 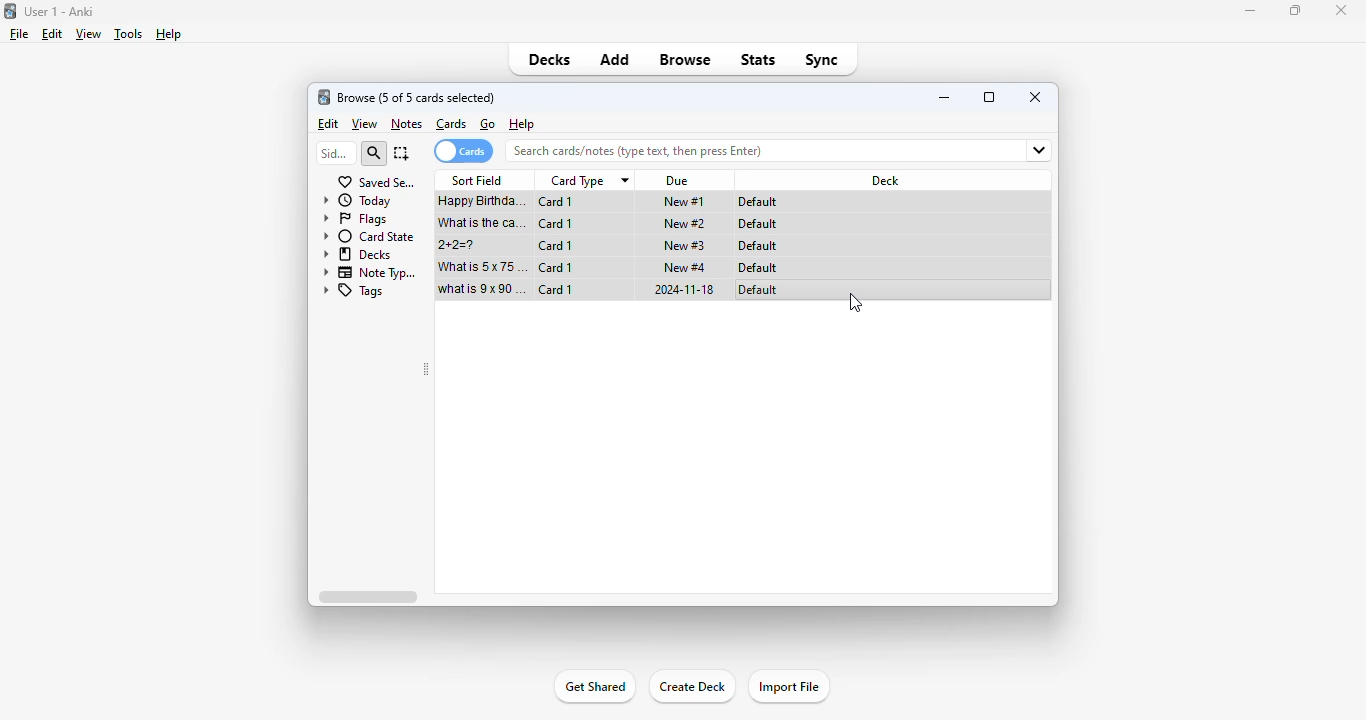 What do you see at coordinates (377, 182) in the screenshot?
I see `saved searches` at bounding box center [377, 182].